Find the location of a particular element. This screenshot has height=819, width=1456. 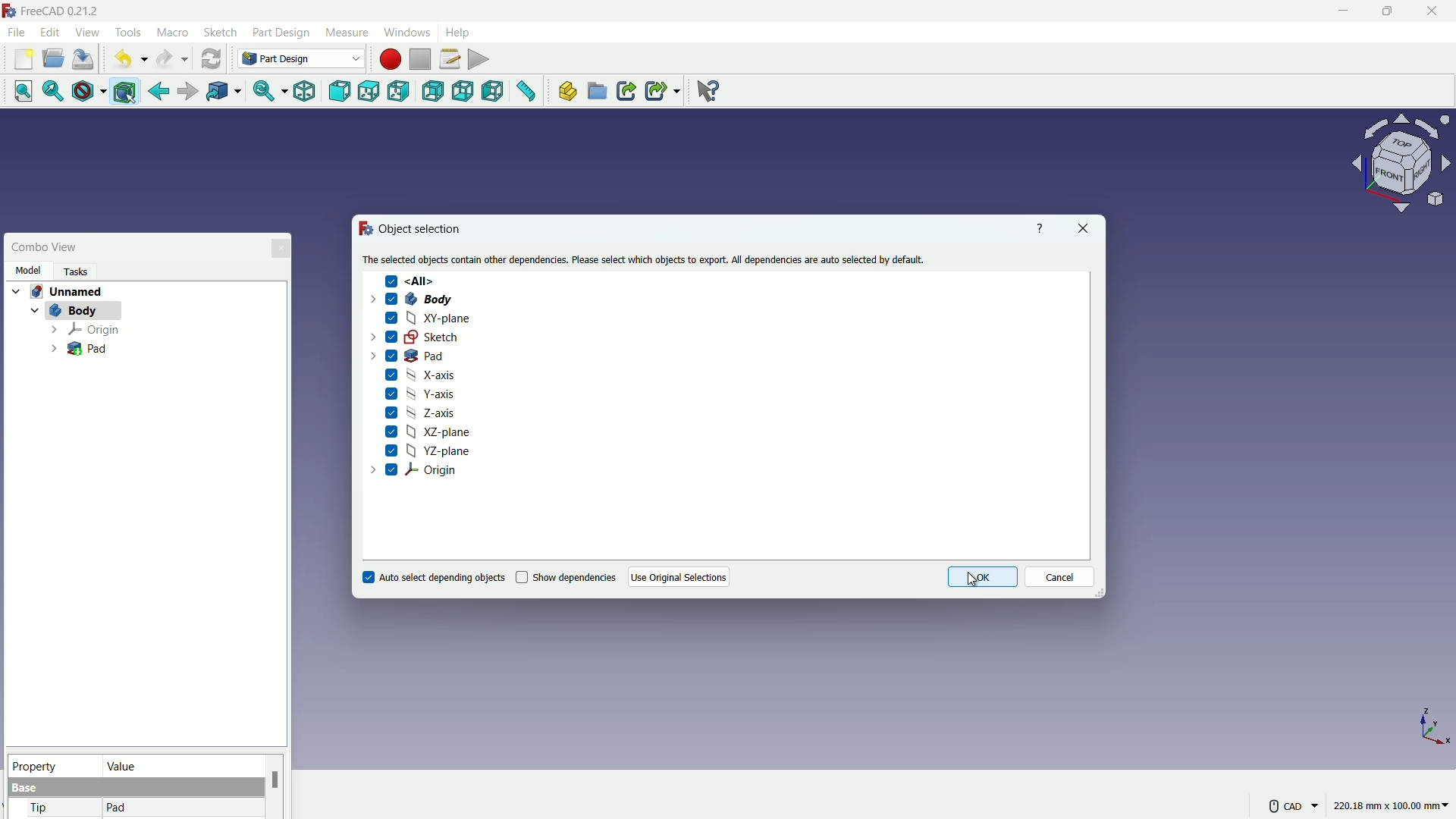

FreeCAD 0.21.2 is located at coordinates (53, 10).